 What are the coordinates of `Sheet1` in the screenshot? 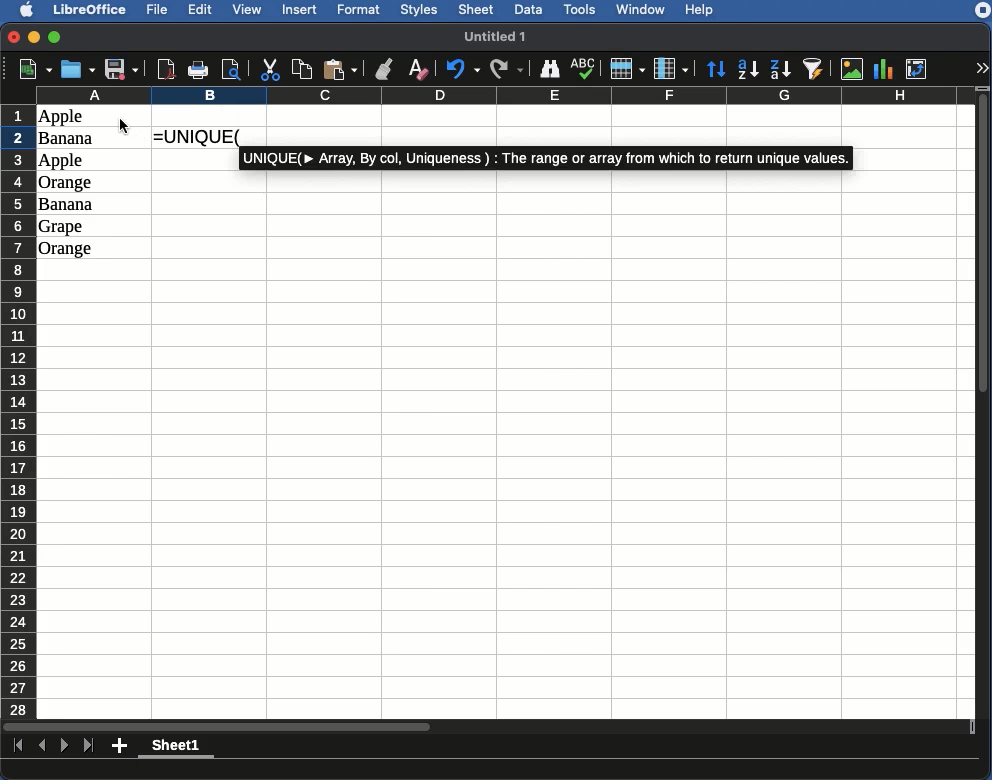 It's located at (177, 748).